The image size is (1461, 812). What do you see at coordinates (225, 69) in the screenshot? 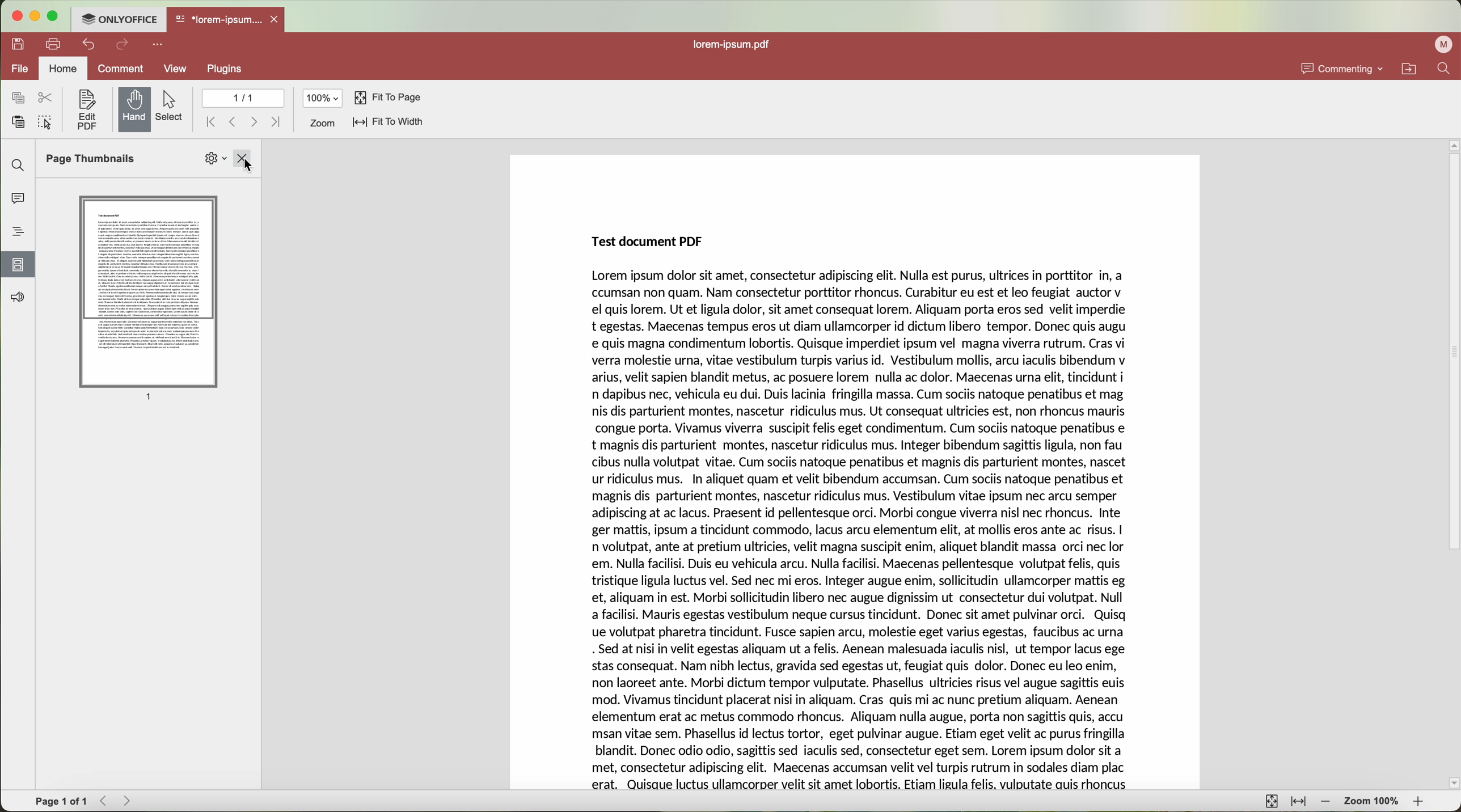
I see `plugins` at bounding box center [225, 69].